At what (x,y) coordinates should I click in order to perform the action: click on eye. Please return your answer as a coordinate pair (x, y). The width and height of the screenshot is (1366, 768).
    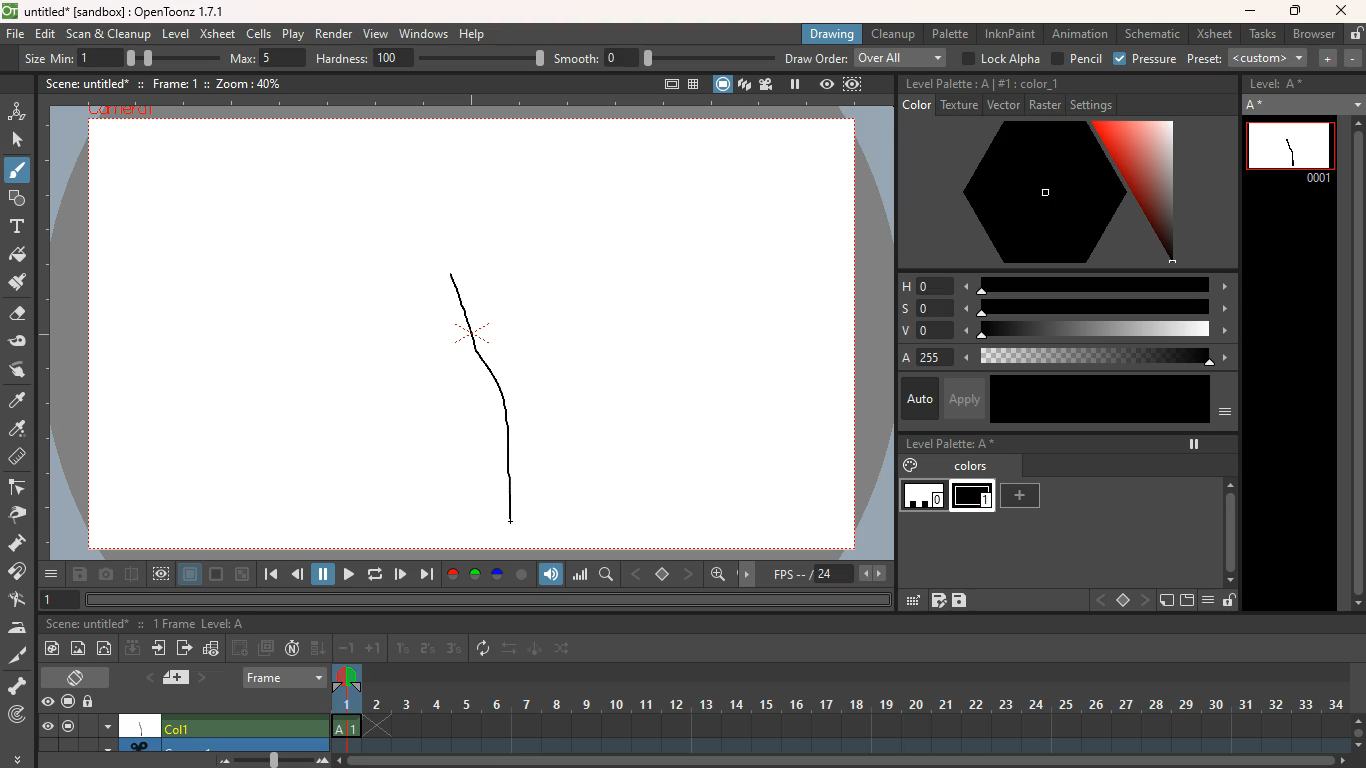
    Looking at the image, I should click on (49, 703).